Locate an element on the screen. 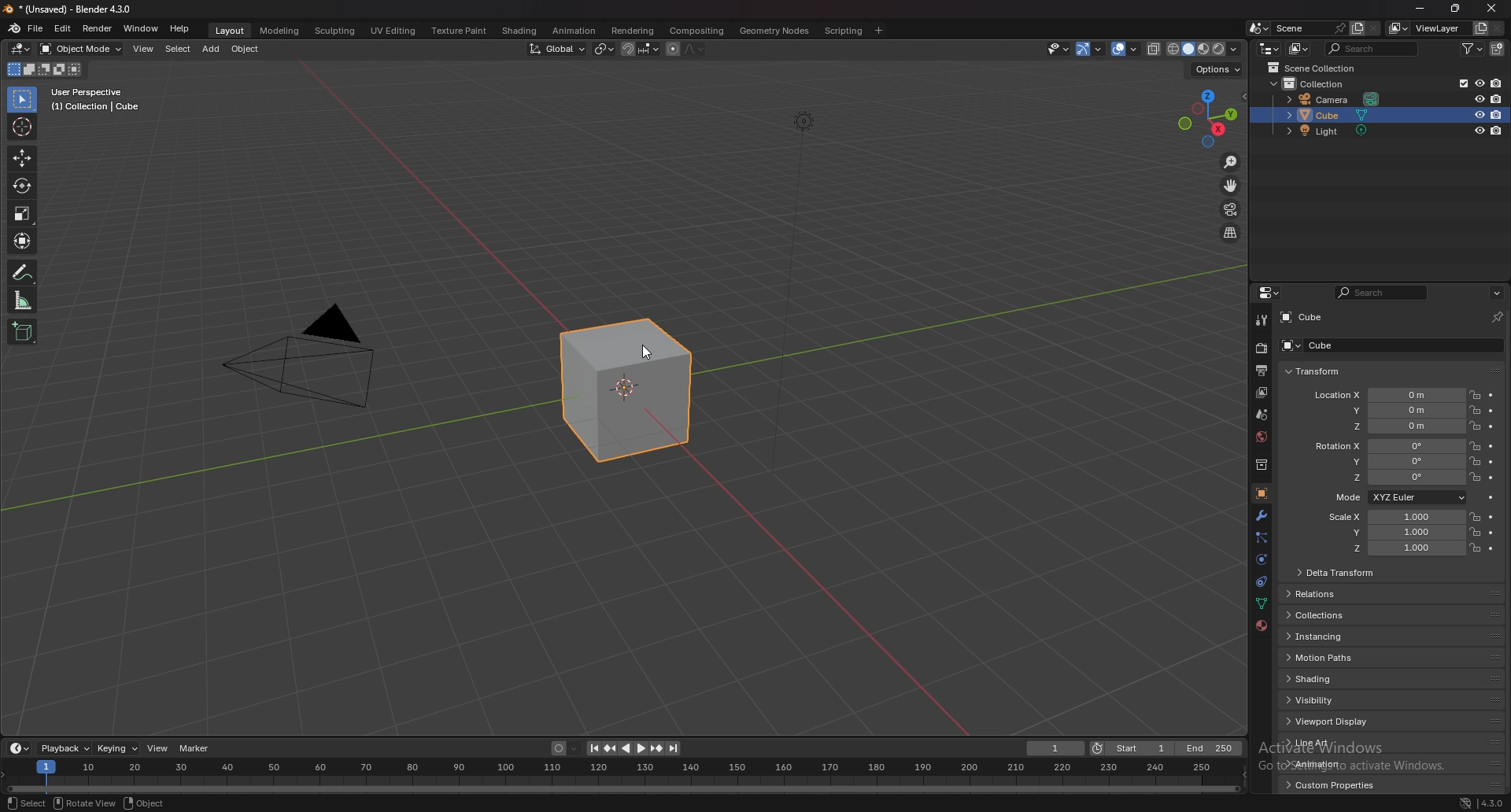  viewport shading is located at coordinates (1206, 49).